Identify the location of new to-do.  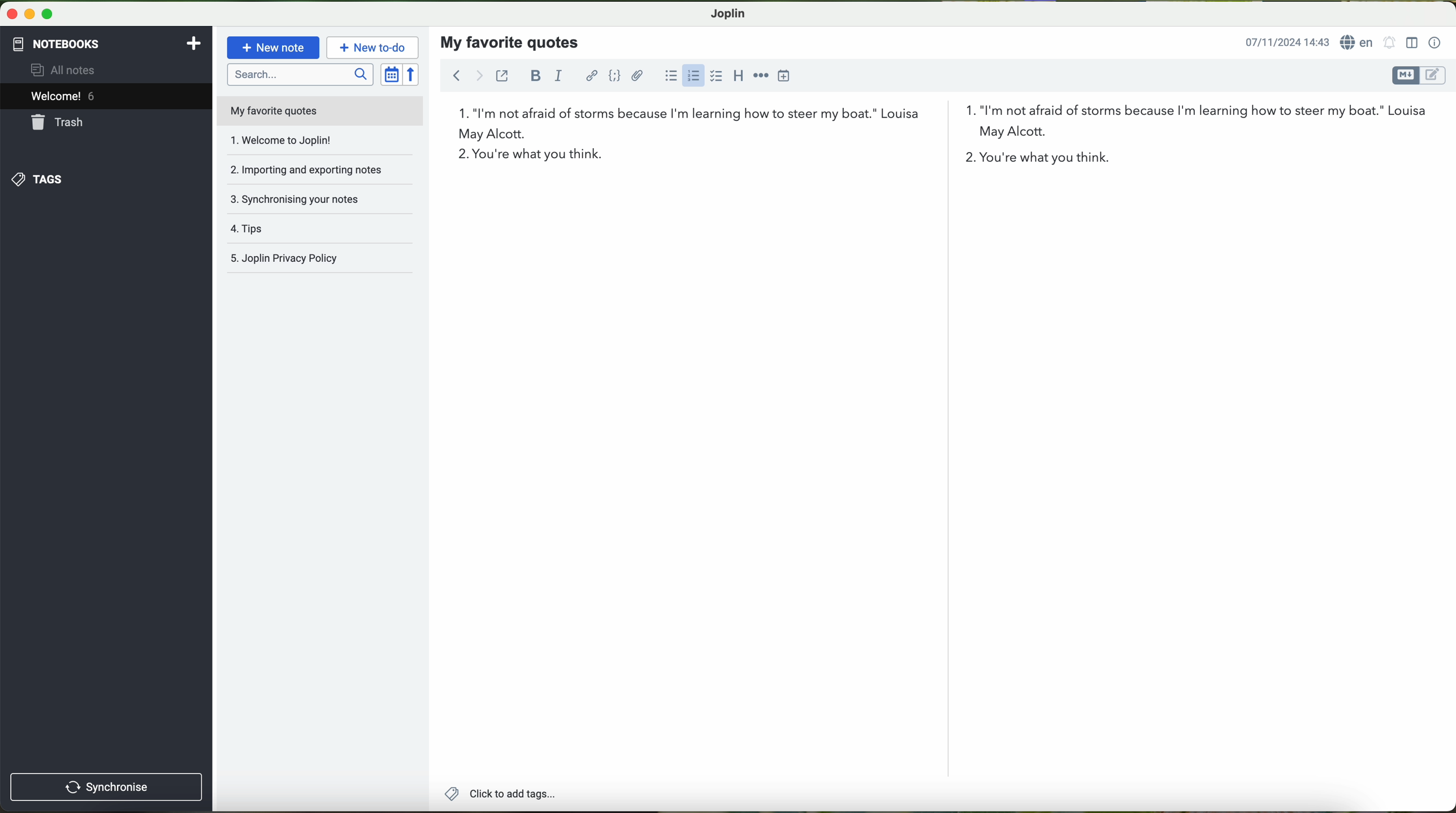
(374, 48).